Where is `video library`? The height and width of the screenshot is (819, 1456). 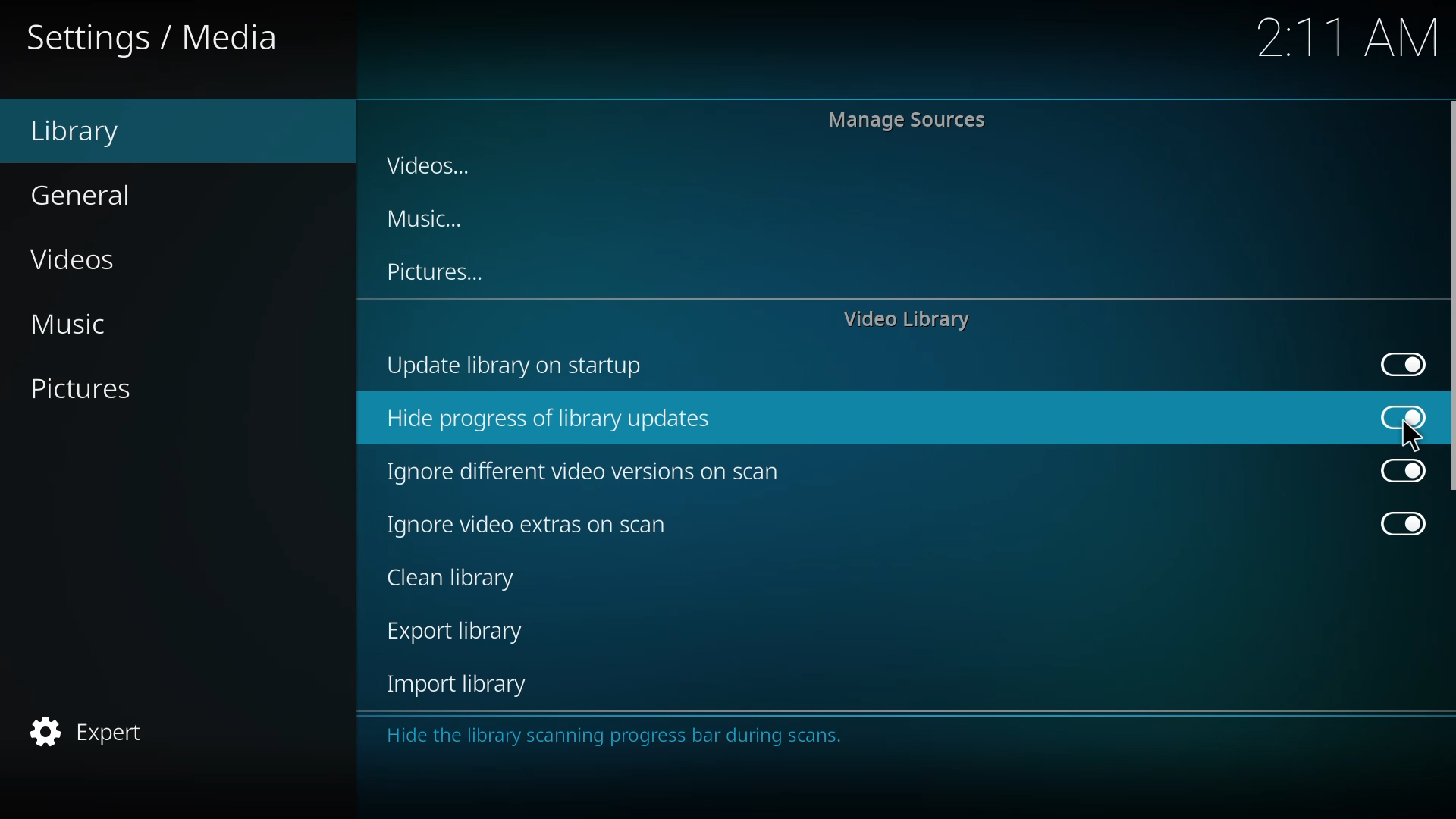
video library is located at coordinates (912, 319).